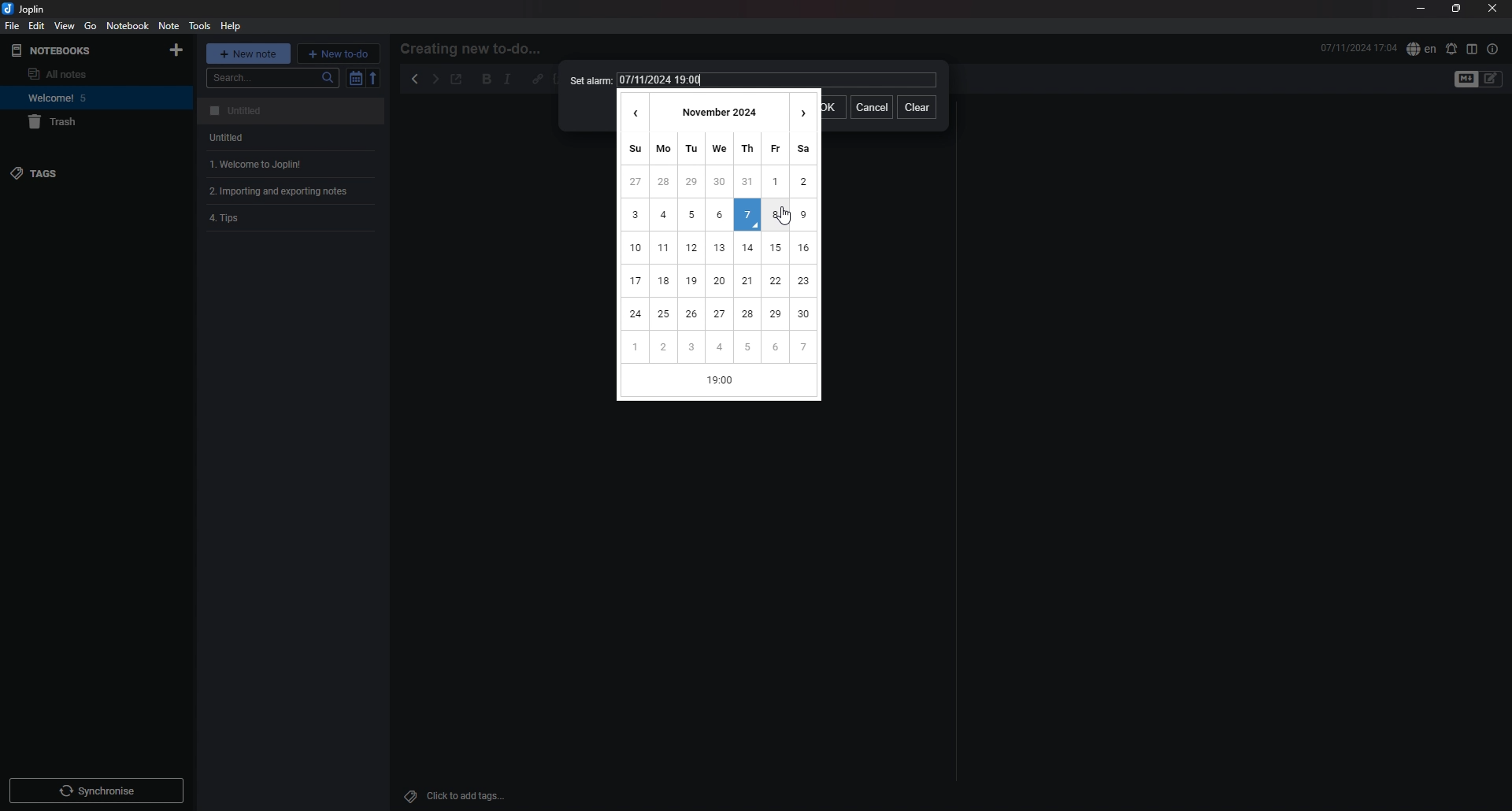  Describe the element at coordinates (74, 172) in the screenshot. I see `tags` at that location.